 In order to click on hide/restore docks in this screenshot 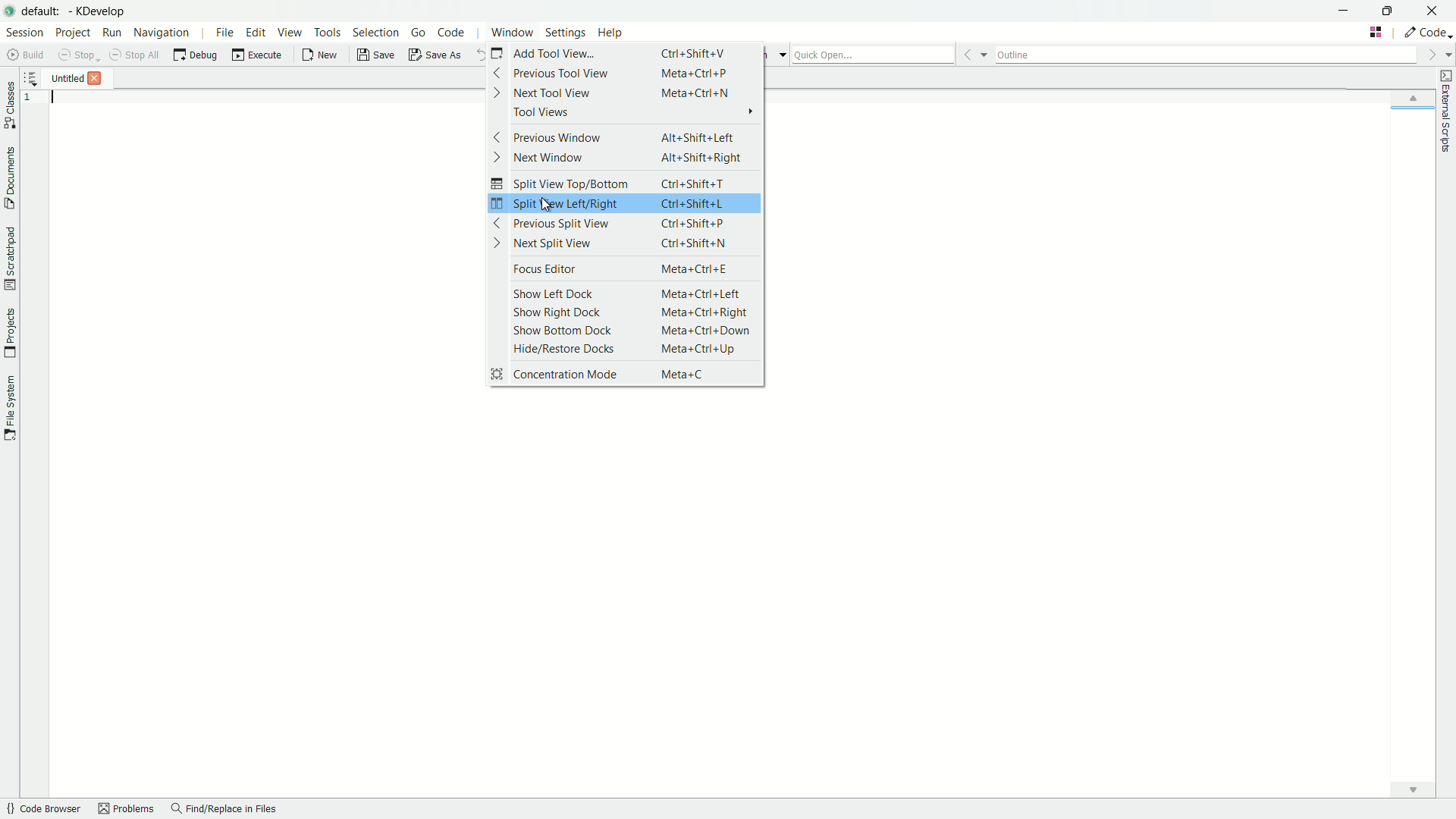, I will do `click(574, 351)`.